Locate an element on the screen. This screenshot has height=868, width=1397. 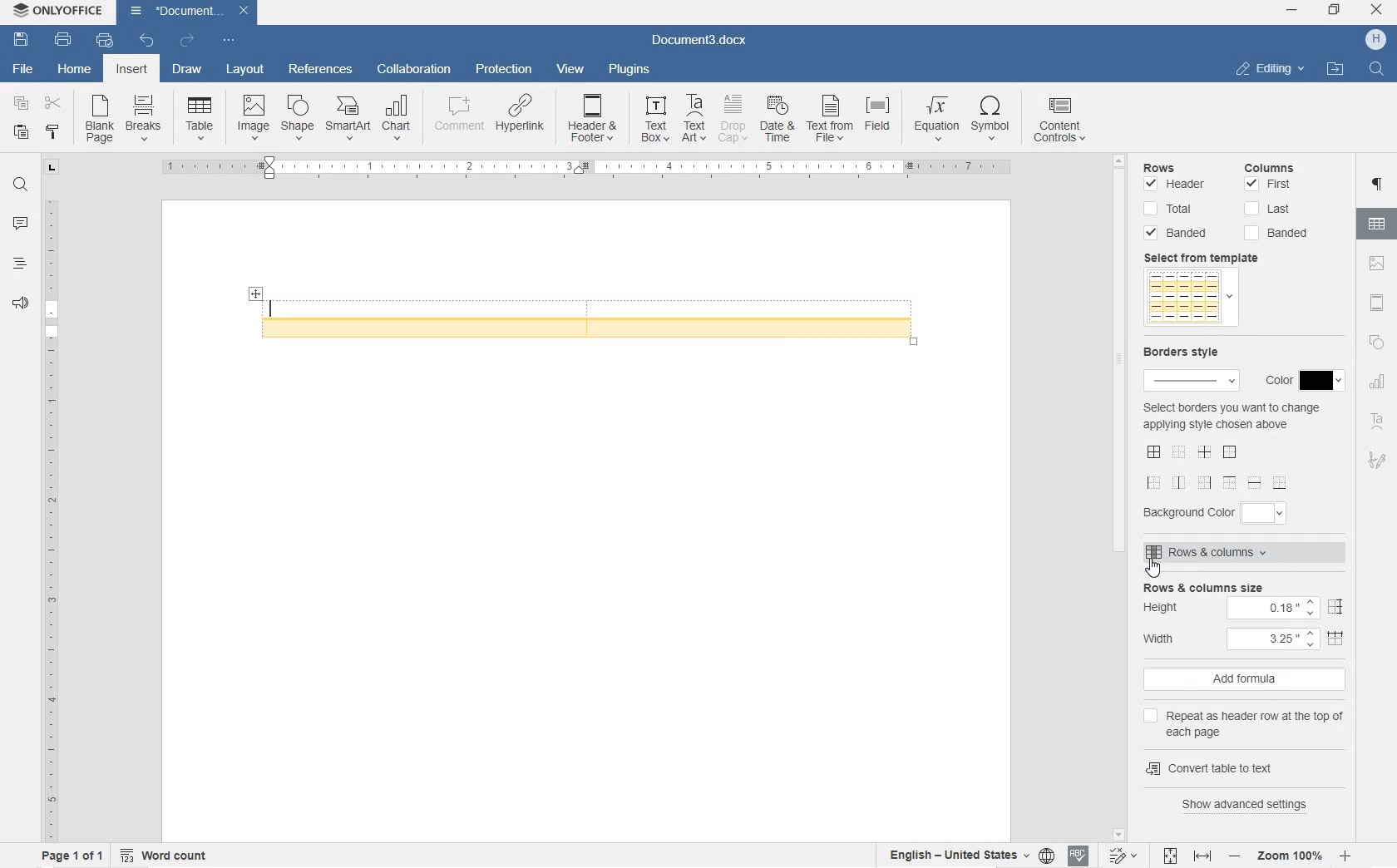
table settings is located at coordinates (1379, 226).